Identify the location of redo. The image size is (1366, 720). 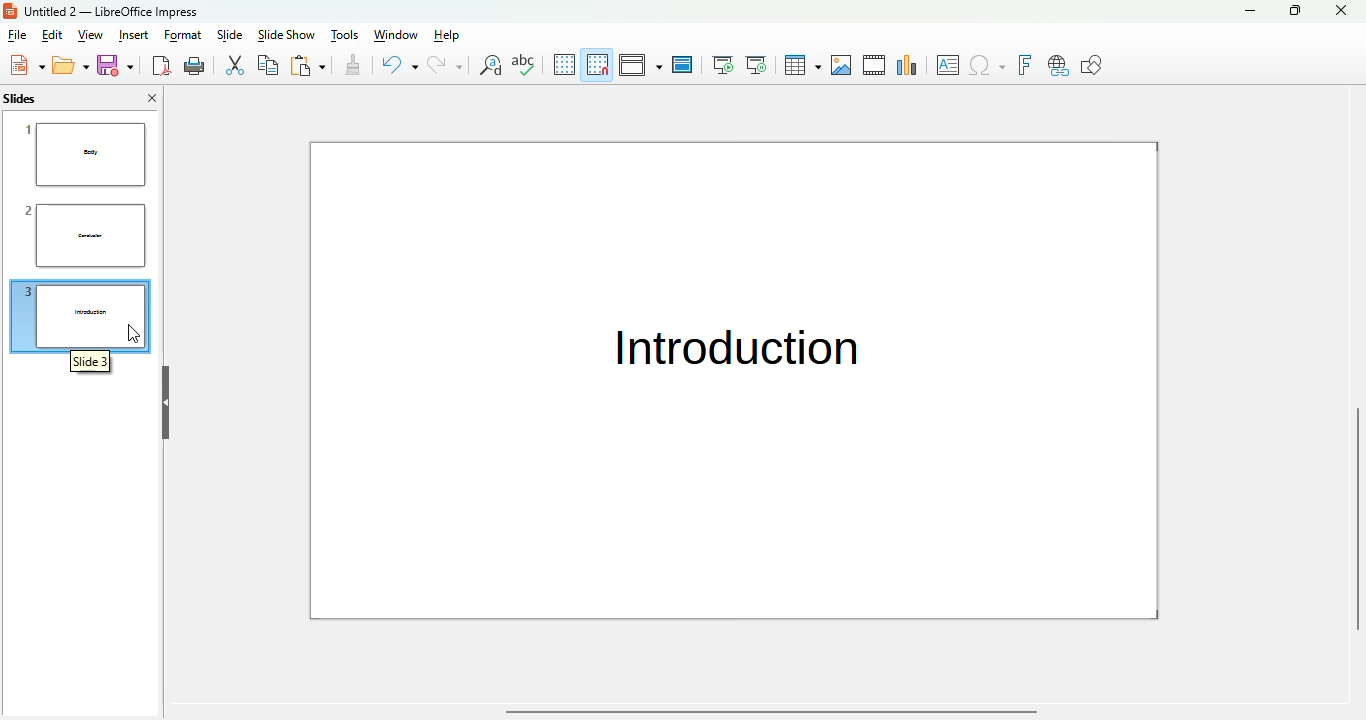
(445, 64).